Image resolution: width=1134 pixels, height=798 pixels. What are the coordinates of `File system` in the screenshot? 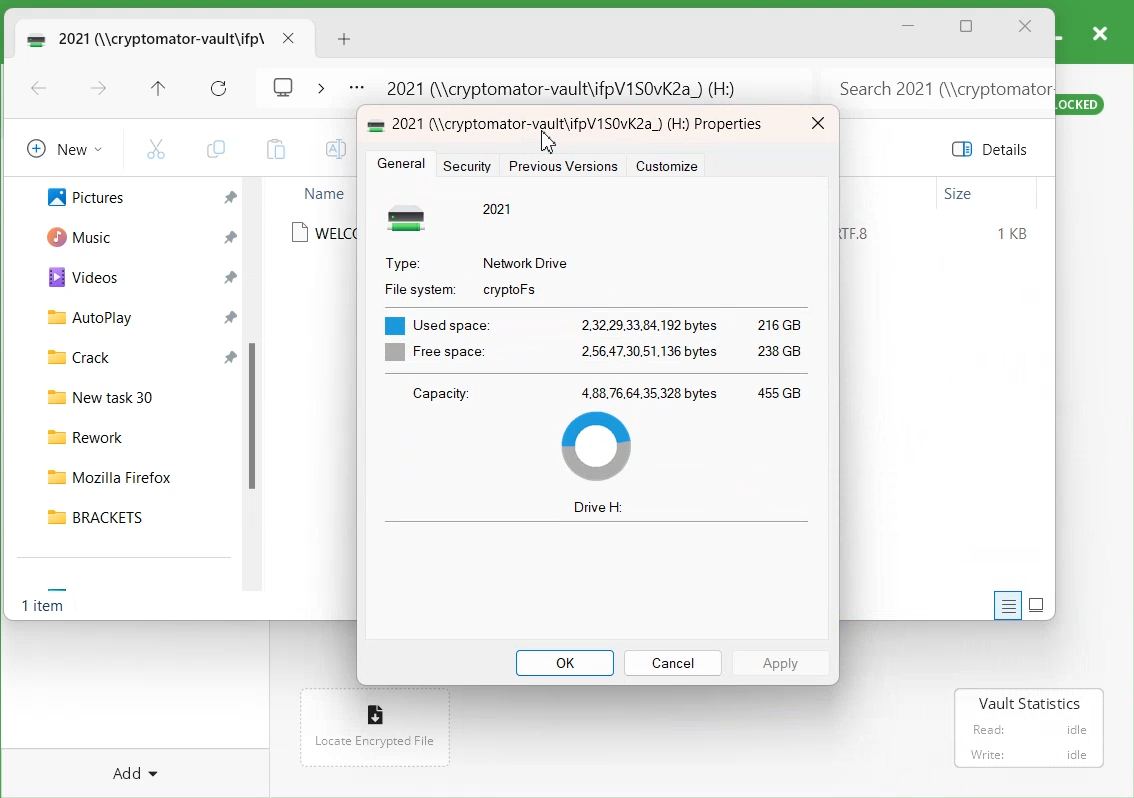 It's located at (417, 287).